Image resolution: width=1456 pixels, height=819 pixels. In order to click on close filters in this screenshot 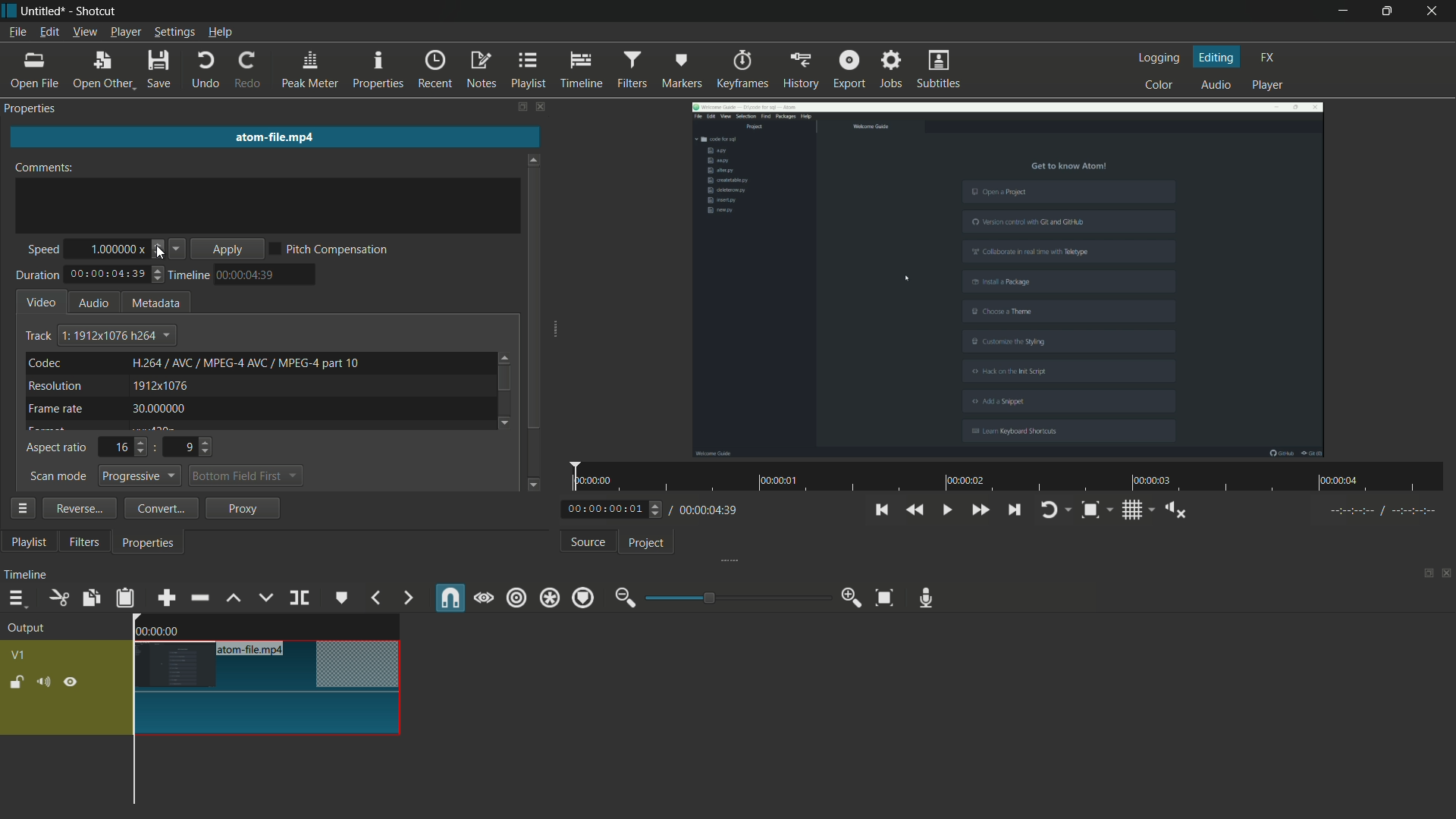, I will do `click(543, 106)`.